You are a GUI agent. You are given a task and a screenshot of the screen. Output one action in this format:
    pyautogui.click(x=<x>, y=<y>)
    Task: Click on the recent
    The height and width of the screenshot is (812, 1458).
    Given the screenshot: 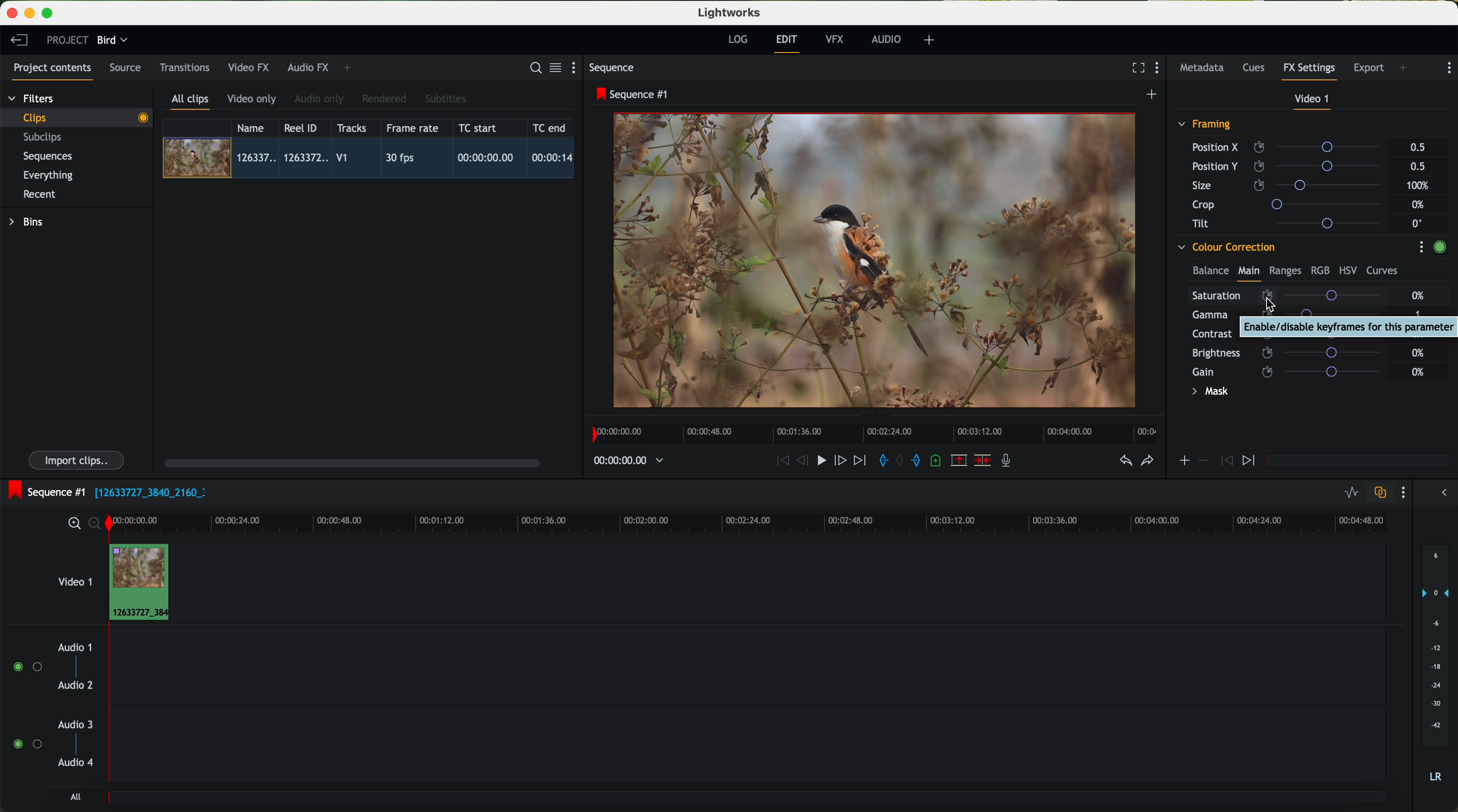 What is the action you would take?
    pyautogui.click(x=40, y=196)
    